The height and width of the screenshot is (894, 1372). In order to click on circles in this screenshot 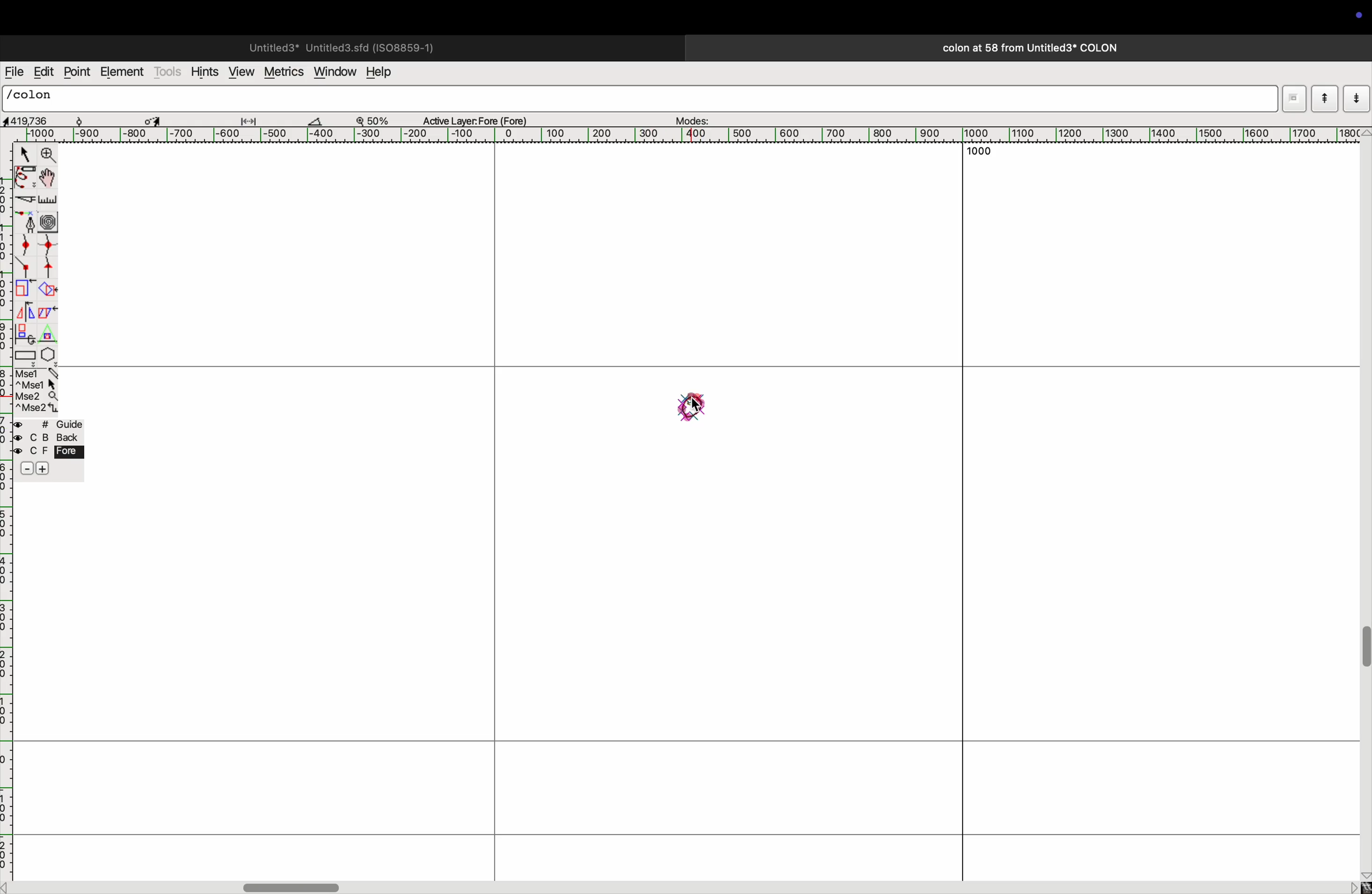, I will do `click(51, 220)`.